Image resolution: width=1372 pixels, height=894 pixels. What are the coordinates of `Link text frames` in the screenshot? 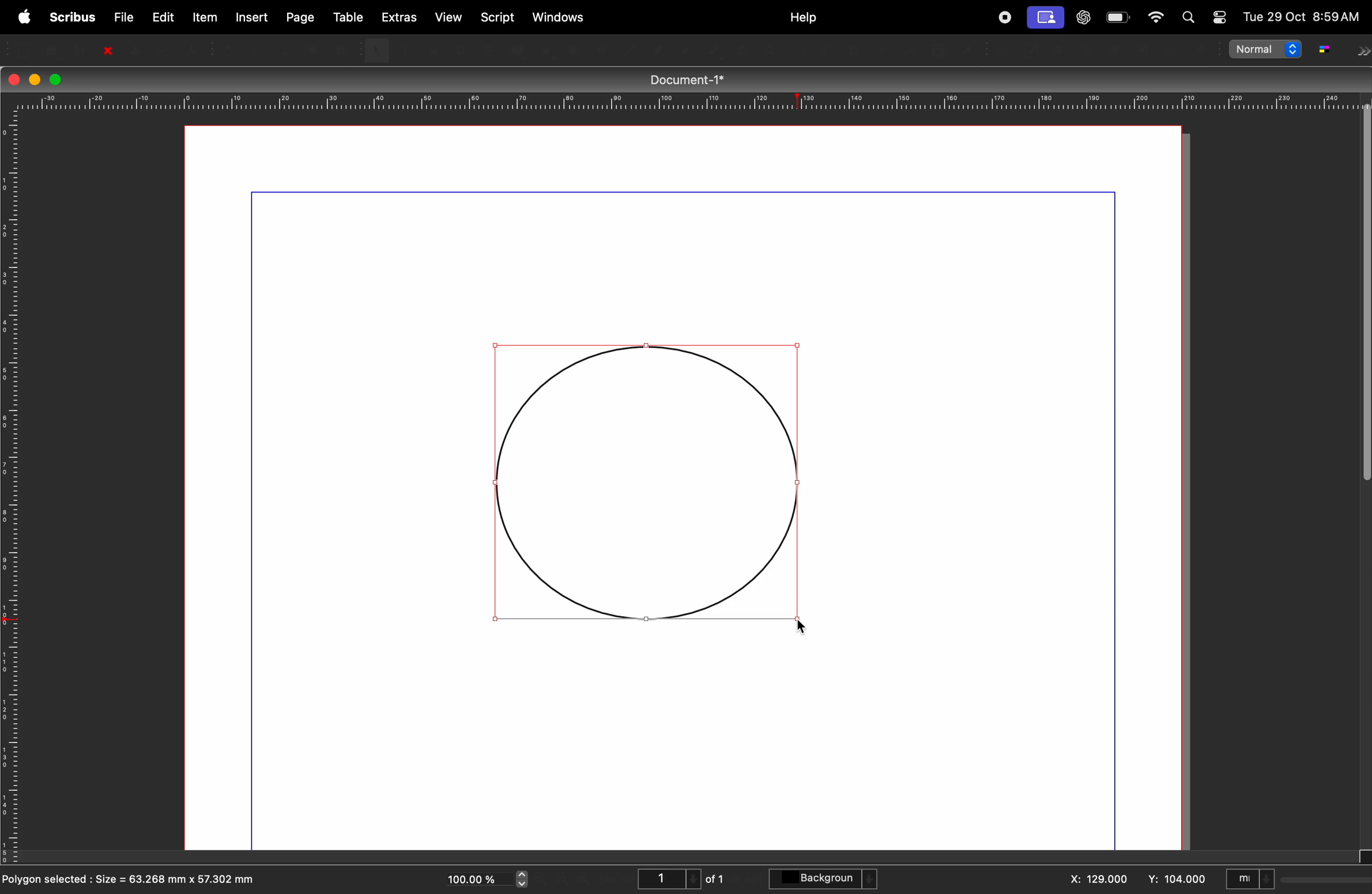 It's located at (854, 50).